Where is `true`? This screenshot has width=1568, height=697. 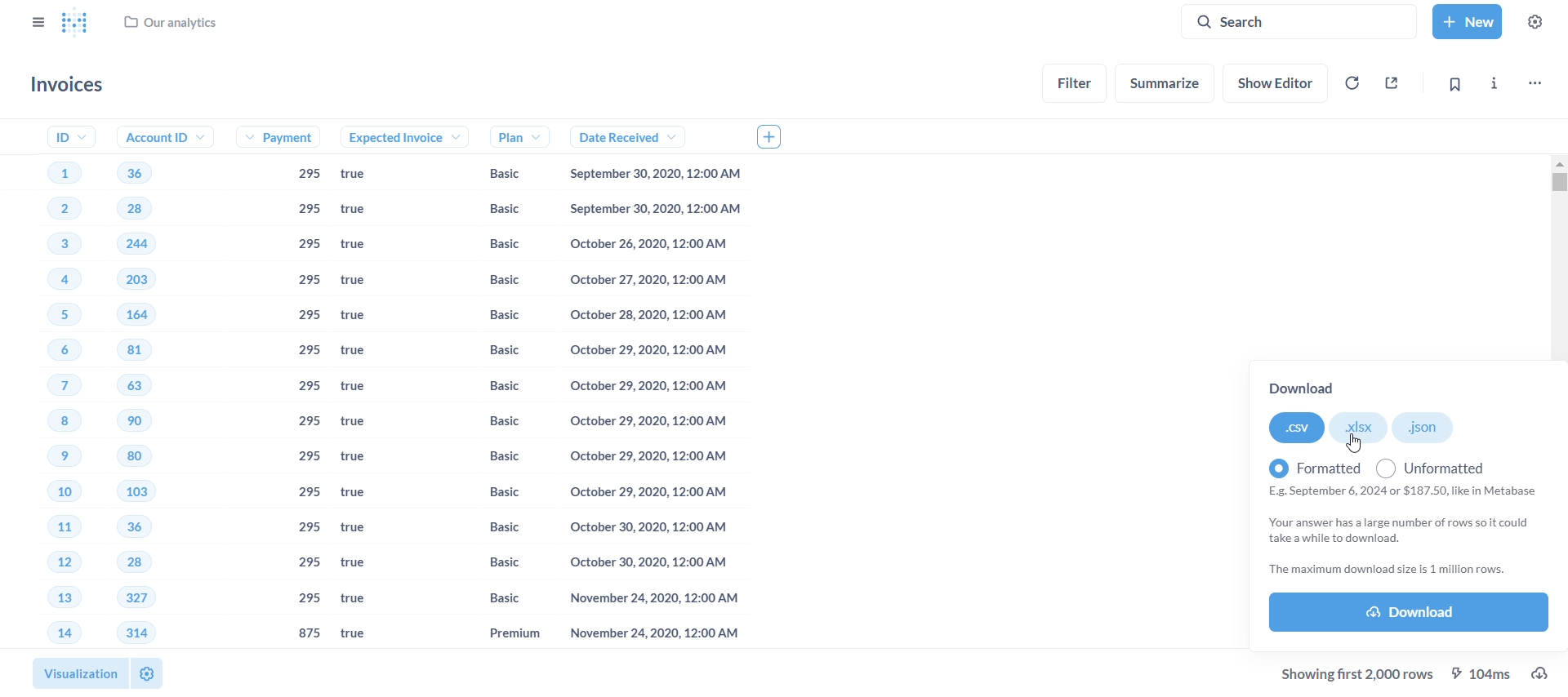
true is located at coordinates (365, 349).